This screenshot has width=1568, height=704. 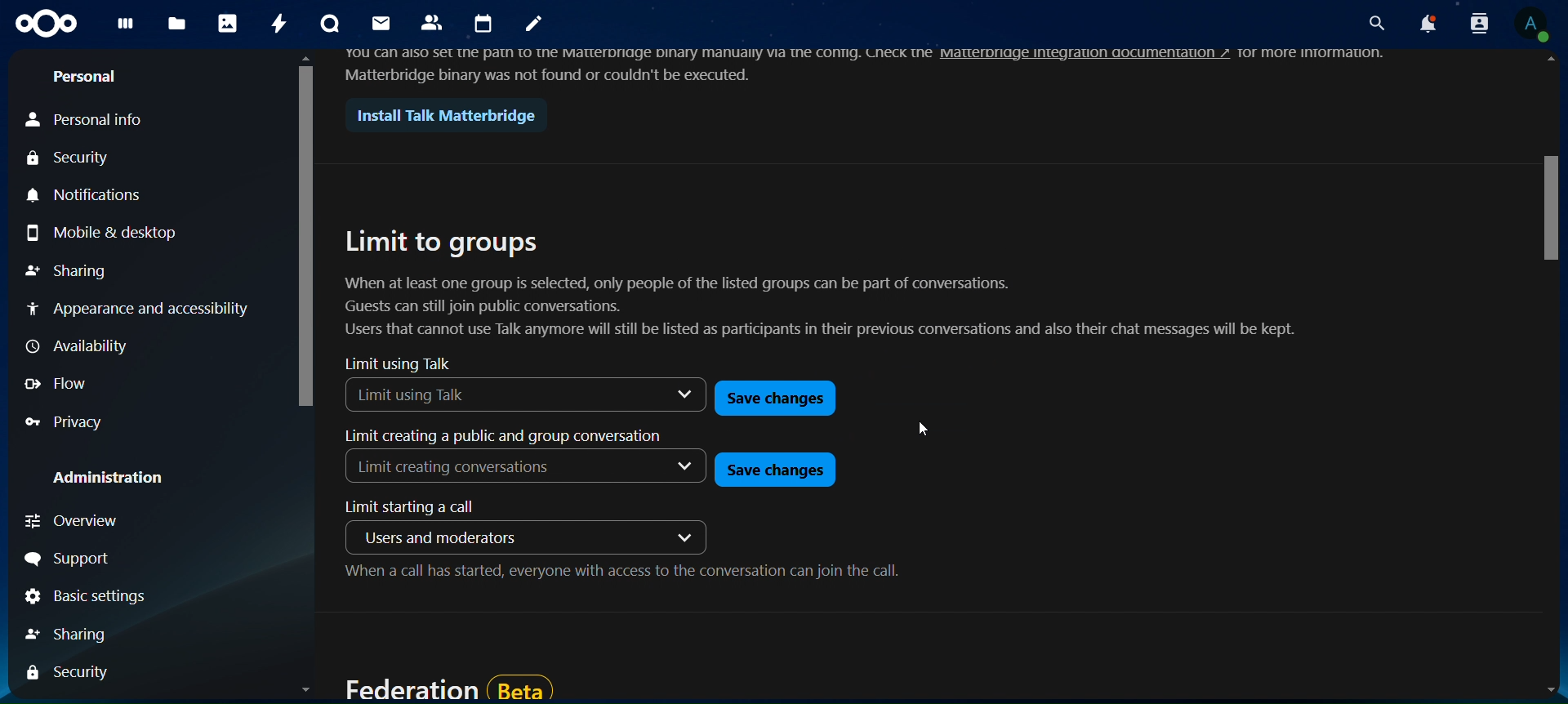 I want to click on photos, so click(x=229, y=25).